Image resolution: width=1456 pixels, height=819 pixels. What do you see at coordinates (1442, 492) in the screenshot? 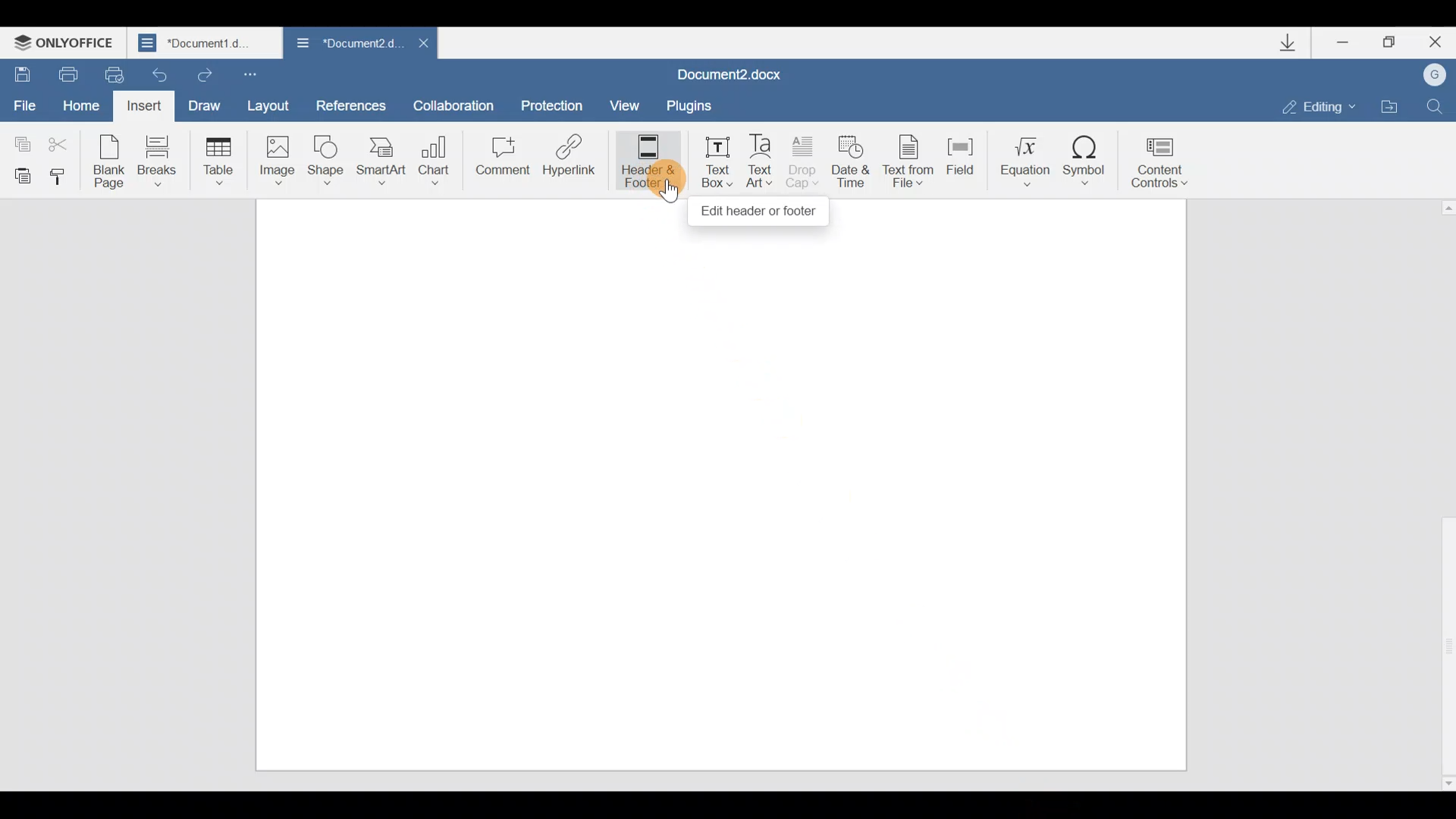
I see `Scroll bar` at bounding box center [1442, 492].